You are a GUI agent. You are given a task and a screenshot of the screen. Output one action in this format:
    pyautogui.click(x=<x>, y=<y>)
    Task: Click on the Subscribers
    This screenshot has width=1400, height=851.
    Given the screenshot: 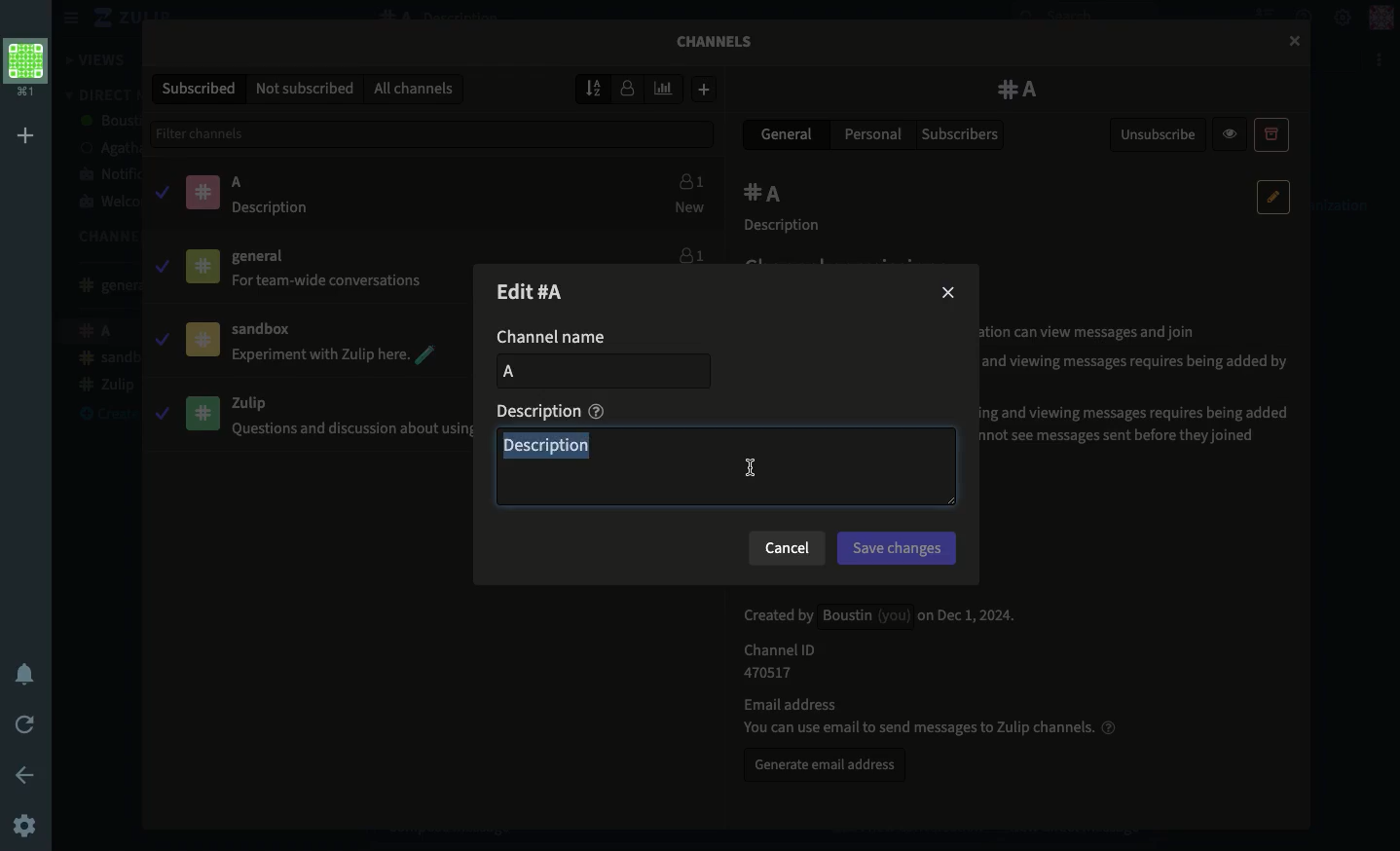 What is the action you would take?
    pyautogui.click(x=962, y=135)
    